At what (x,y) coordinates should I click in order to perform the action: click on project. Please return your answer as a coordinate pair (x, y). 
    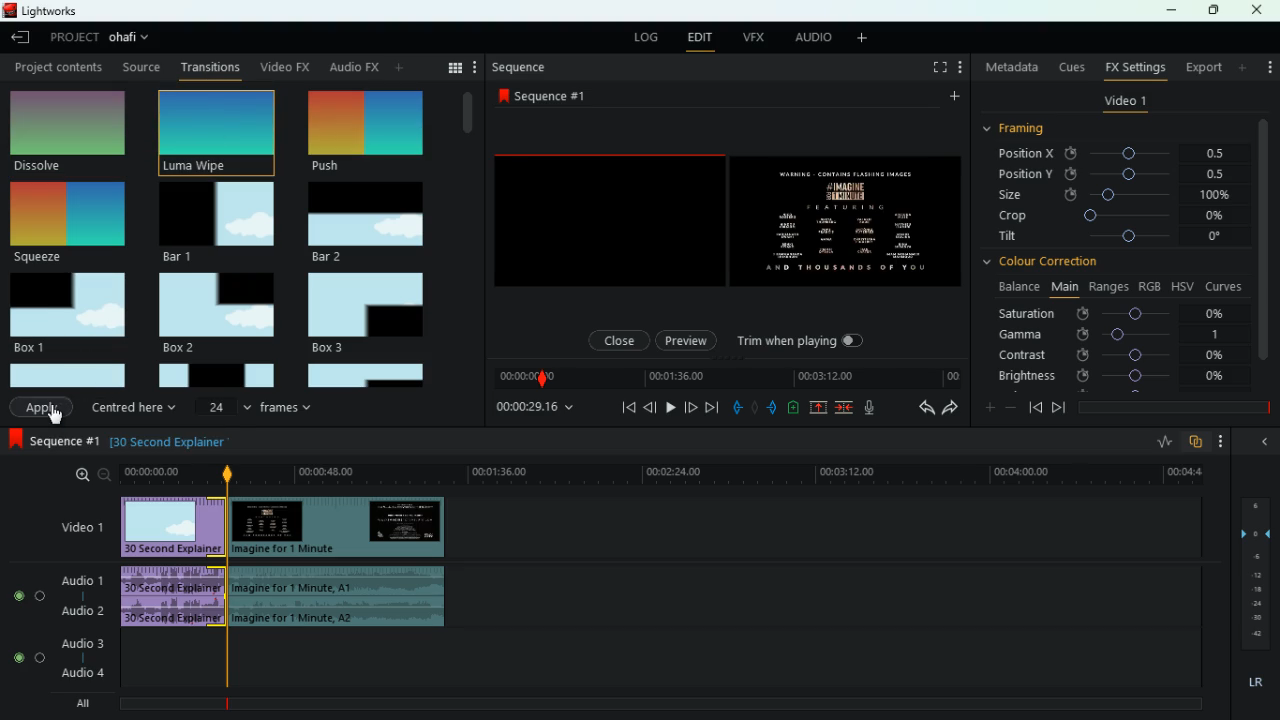
    Looking at the image, I should click on (74, 37).